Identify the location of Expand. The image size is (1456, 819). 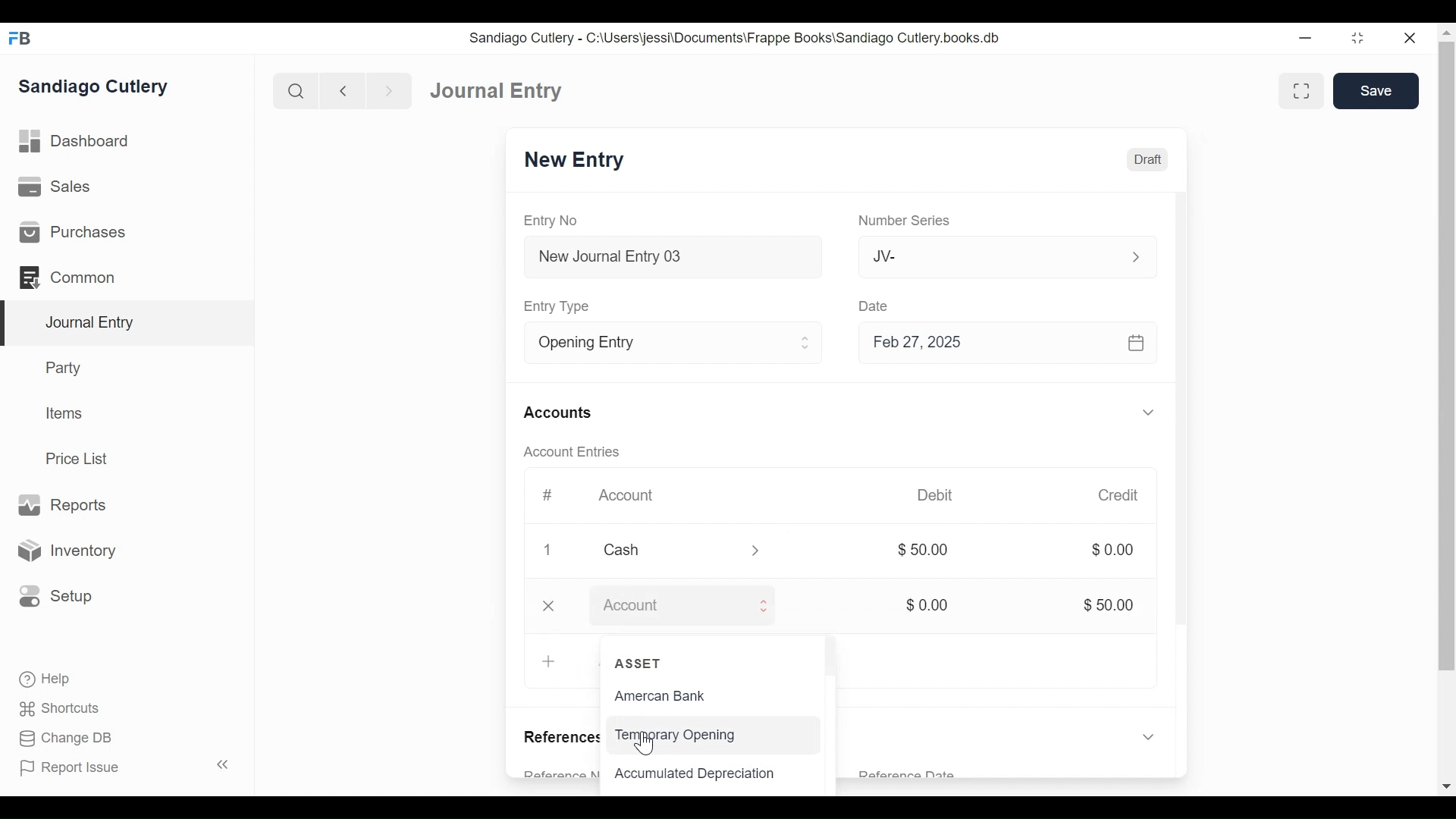
(805, 344).